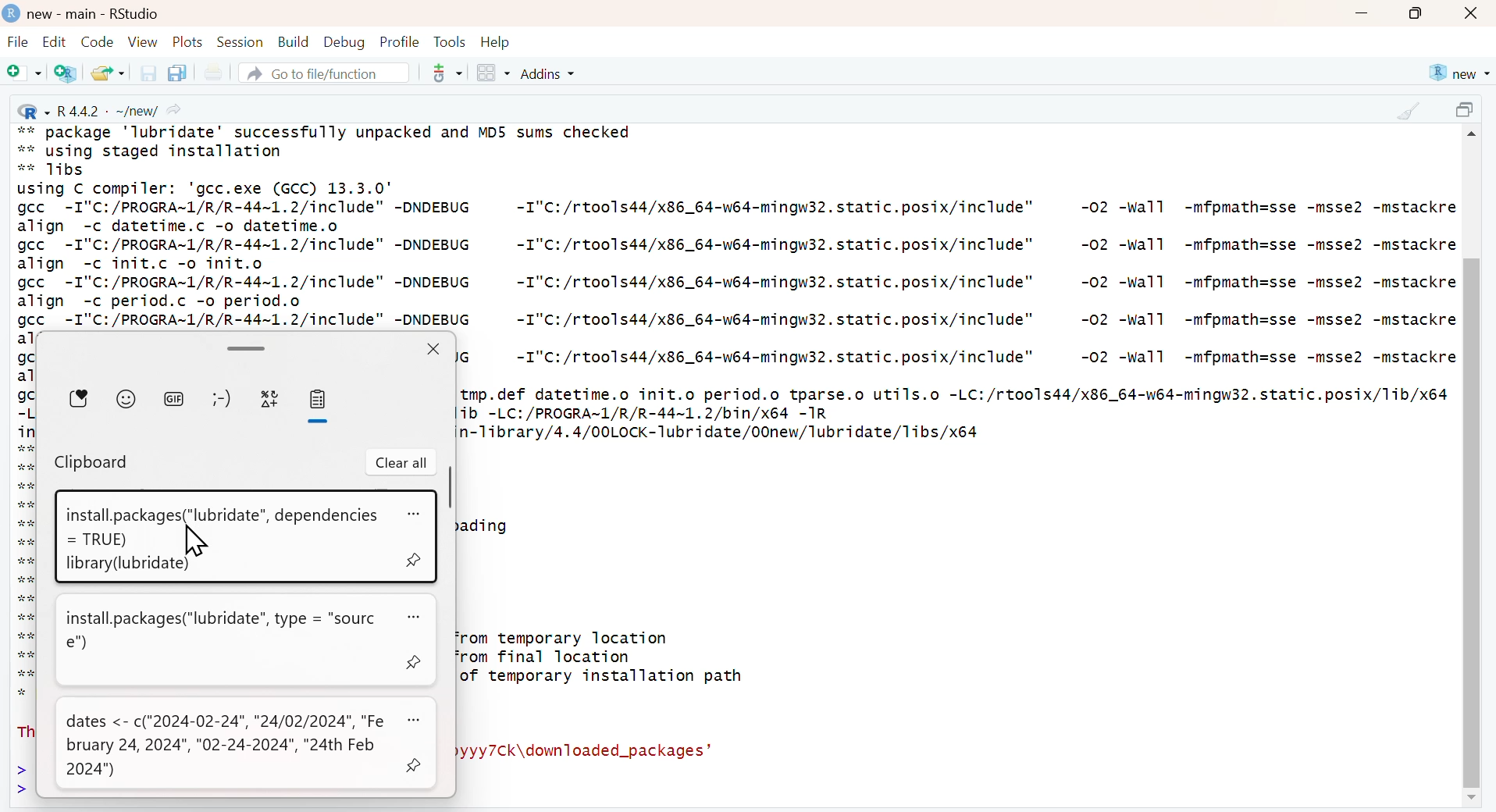 The image size is (1496, 812). I want to click on install.packages("lubridate”, type = "sourc
e"), so click(225, 630).